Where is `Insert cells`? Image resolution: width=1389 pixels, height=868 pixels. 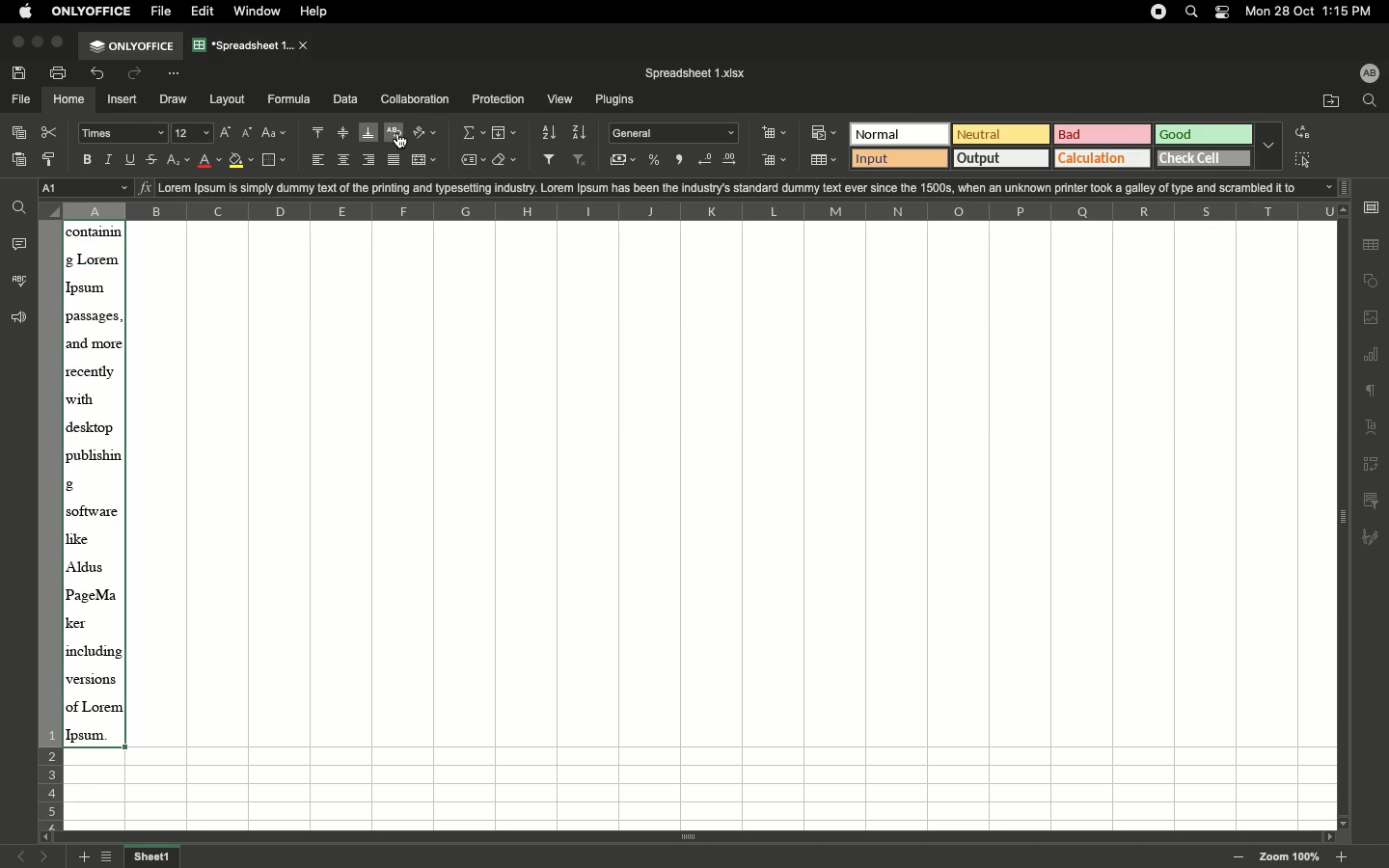
Insert cells is located at coordinates (776, 133).